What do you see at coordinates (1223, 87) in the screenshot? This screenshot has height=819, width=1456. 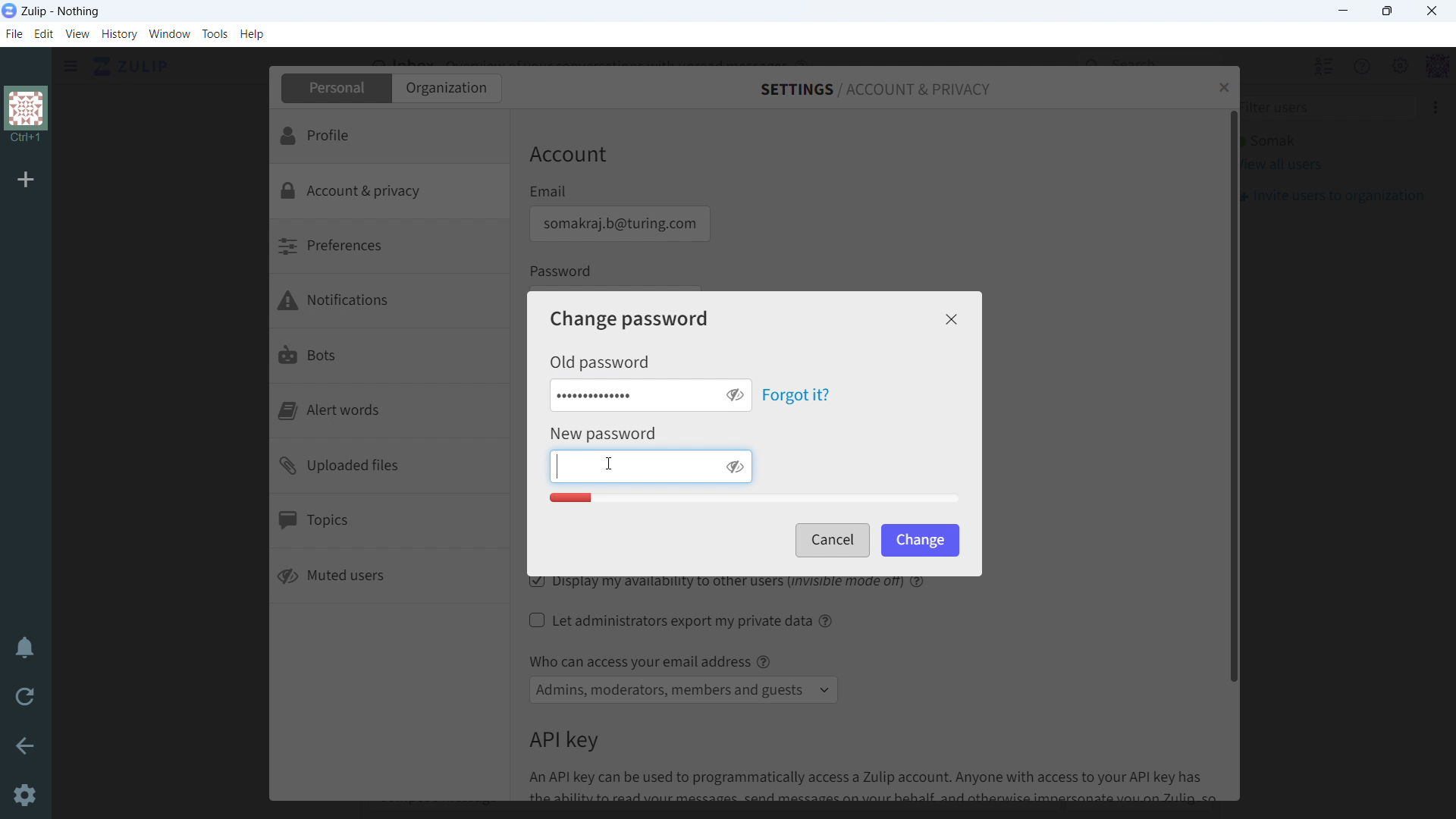 I see `close` at bounding box center [1223, 87].